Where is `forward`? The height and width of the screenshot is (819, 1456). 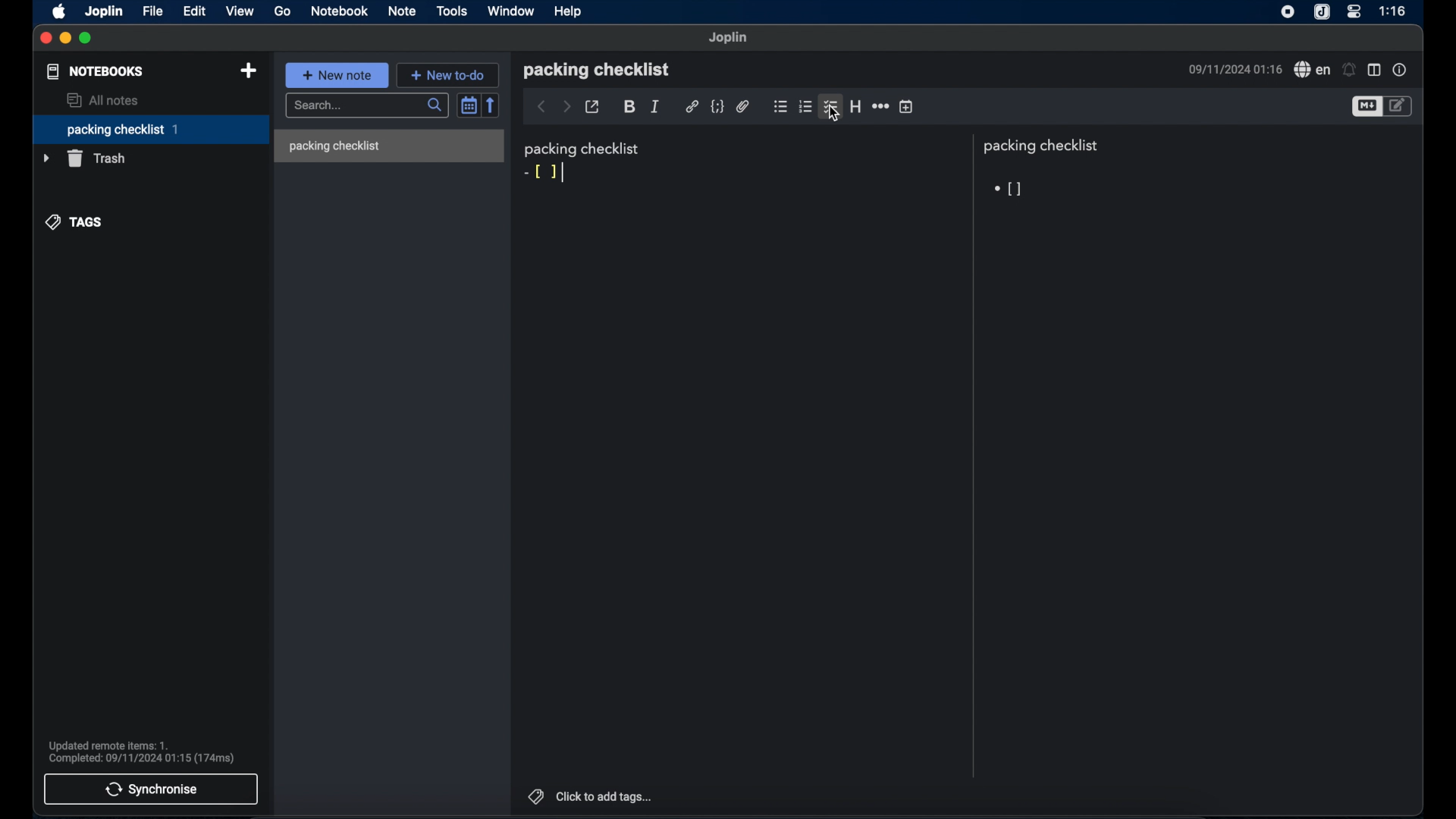 forward is located at coordinates (566, 106).